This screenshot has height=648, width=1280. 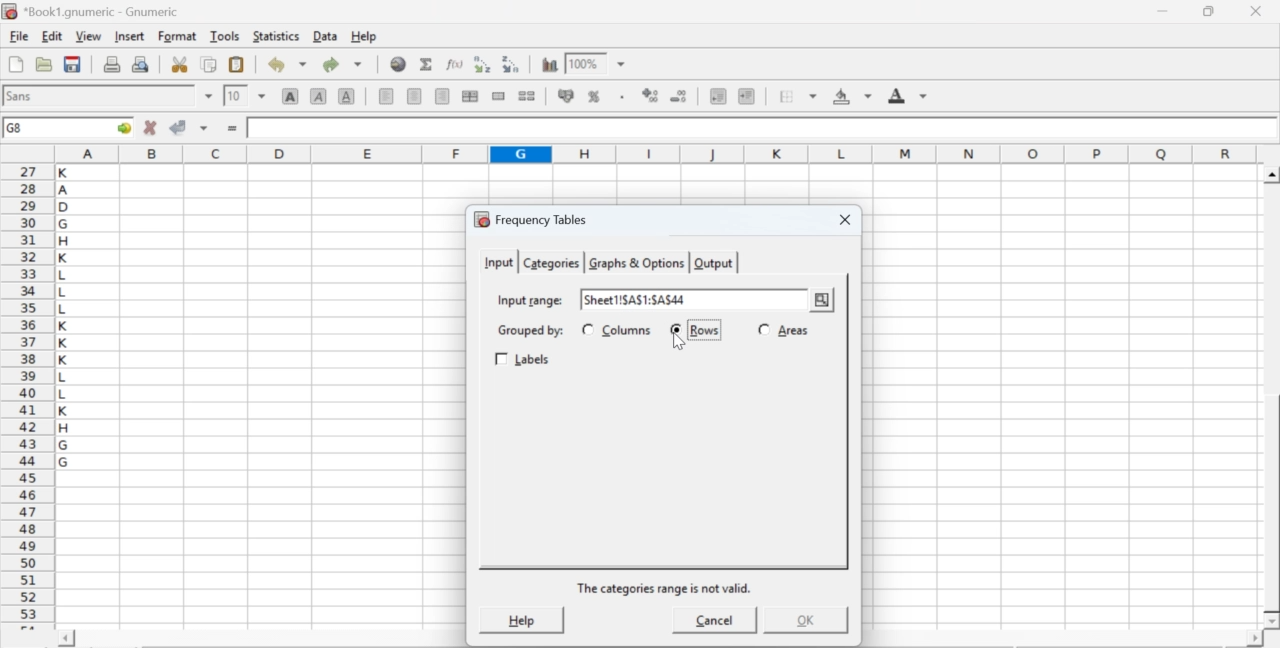 I want to click on drop down, so click(x=262, y=95).